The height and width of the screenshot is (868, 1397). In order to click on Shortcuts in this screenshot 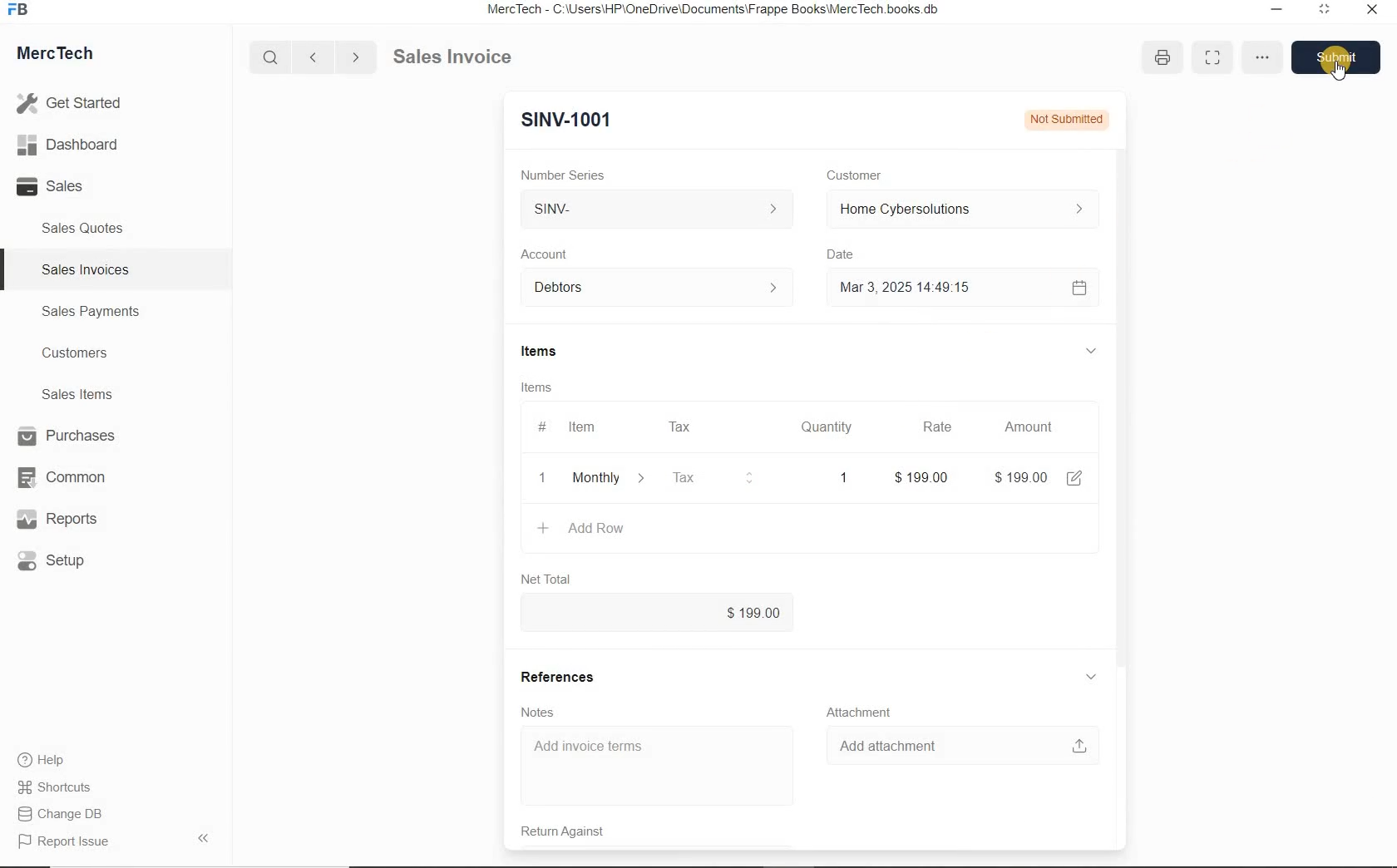, I will do `click(62, 788)`.